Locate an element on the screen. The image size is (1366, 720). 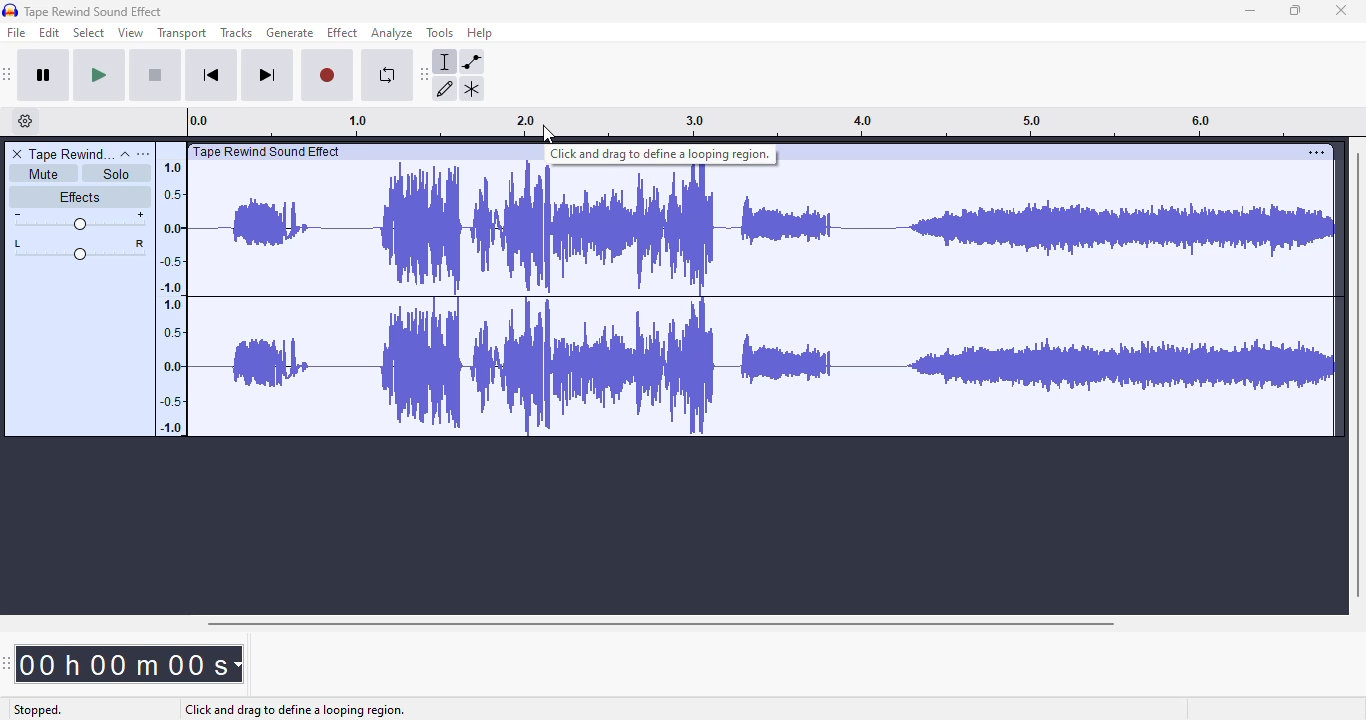
effects is located at coordinates (79, 199).